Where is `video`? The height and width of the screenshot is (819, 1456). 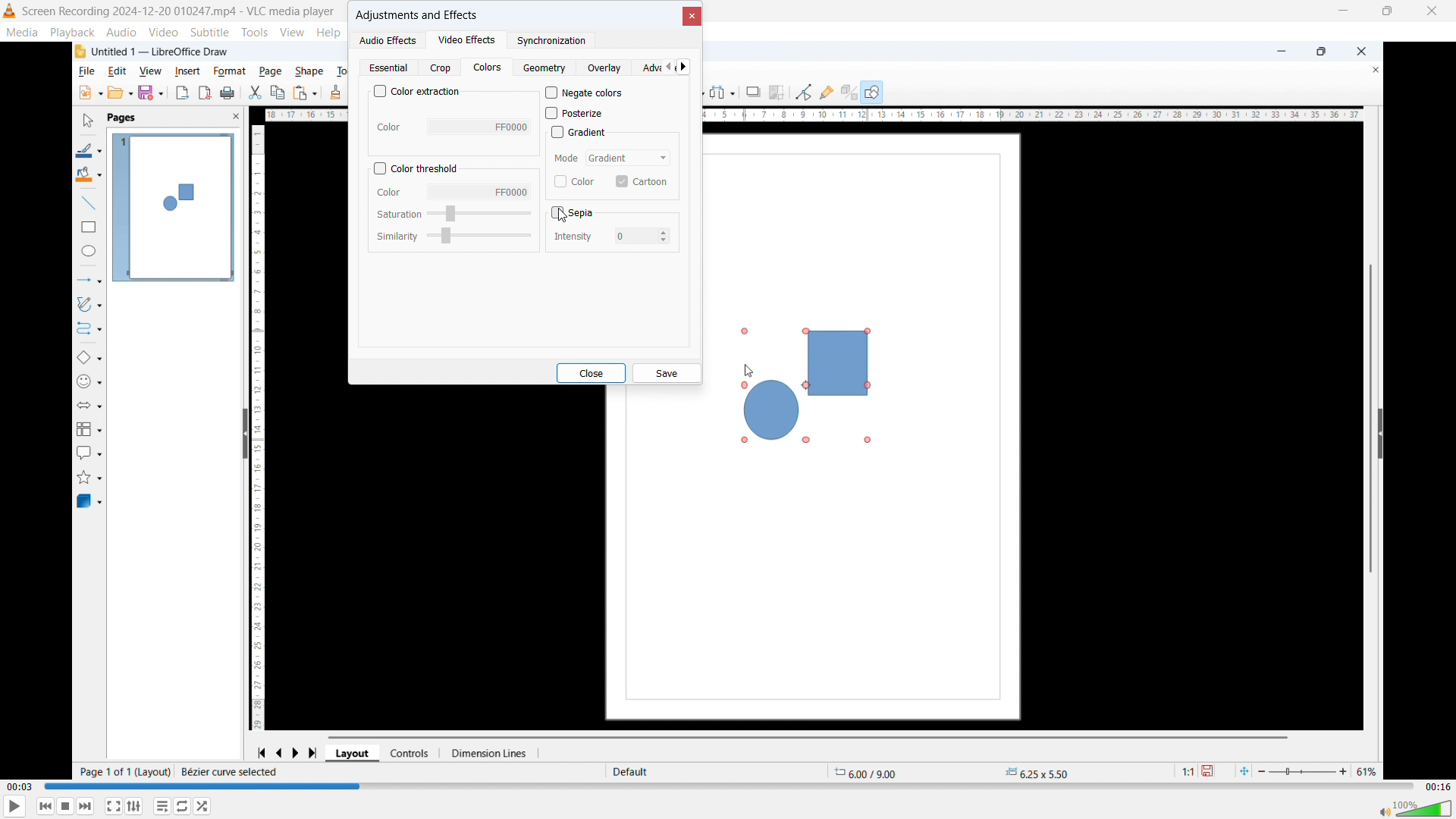 video is located at coordinates (163, 32).